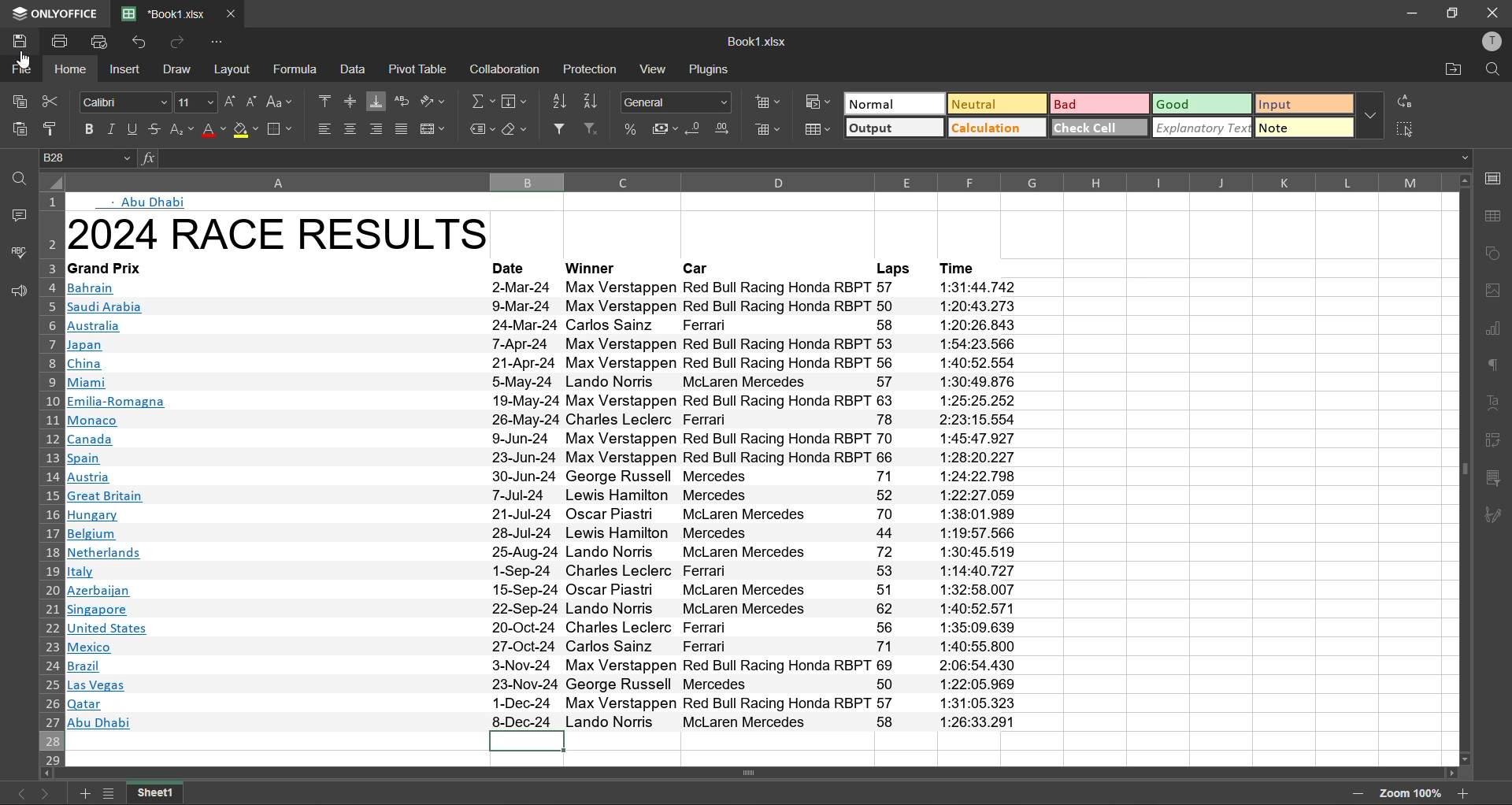 The width and height of the screenshot is (1512, 805). Describe the element at coordinates (280, 103) in the screenshot. I see `change case` at that location.